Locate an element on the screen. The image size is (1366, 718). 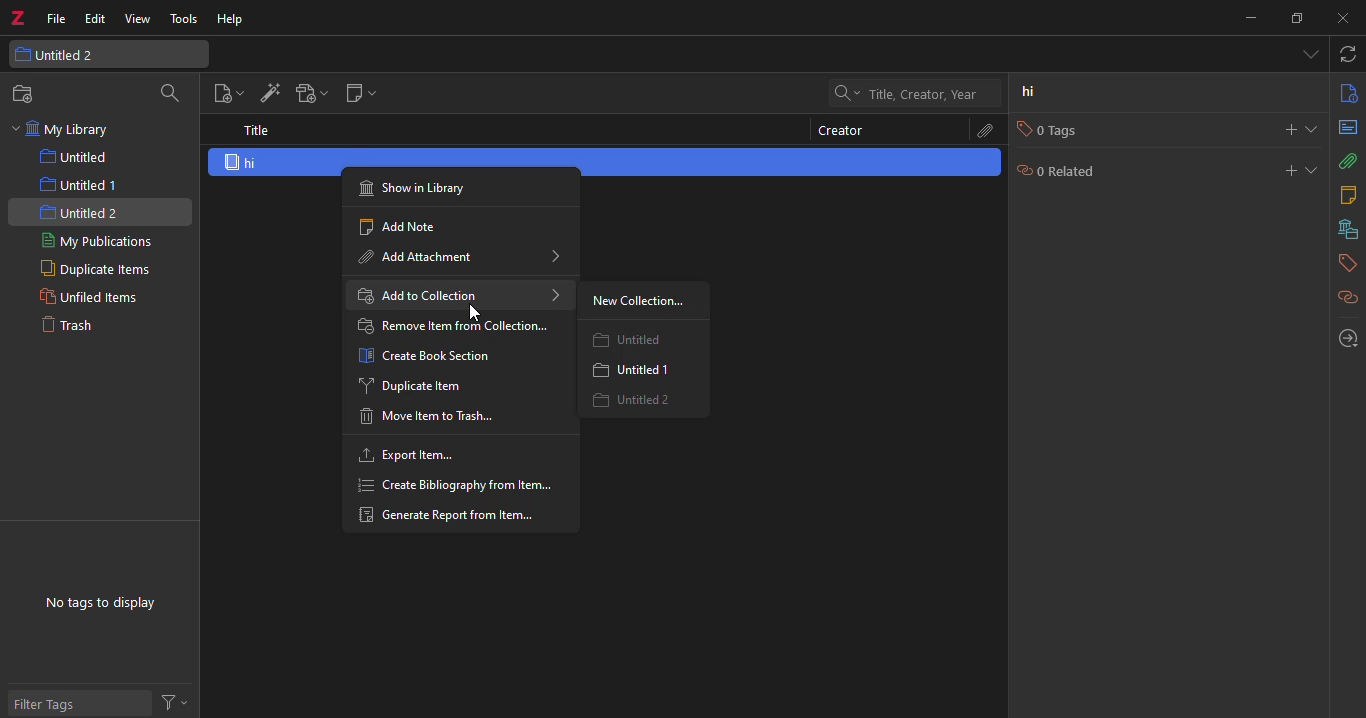
notes is located at coordinates (1349, 194).